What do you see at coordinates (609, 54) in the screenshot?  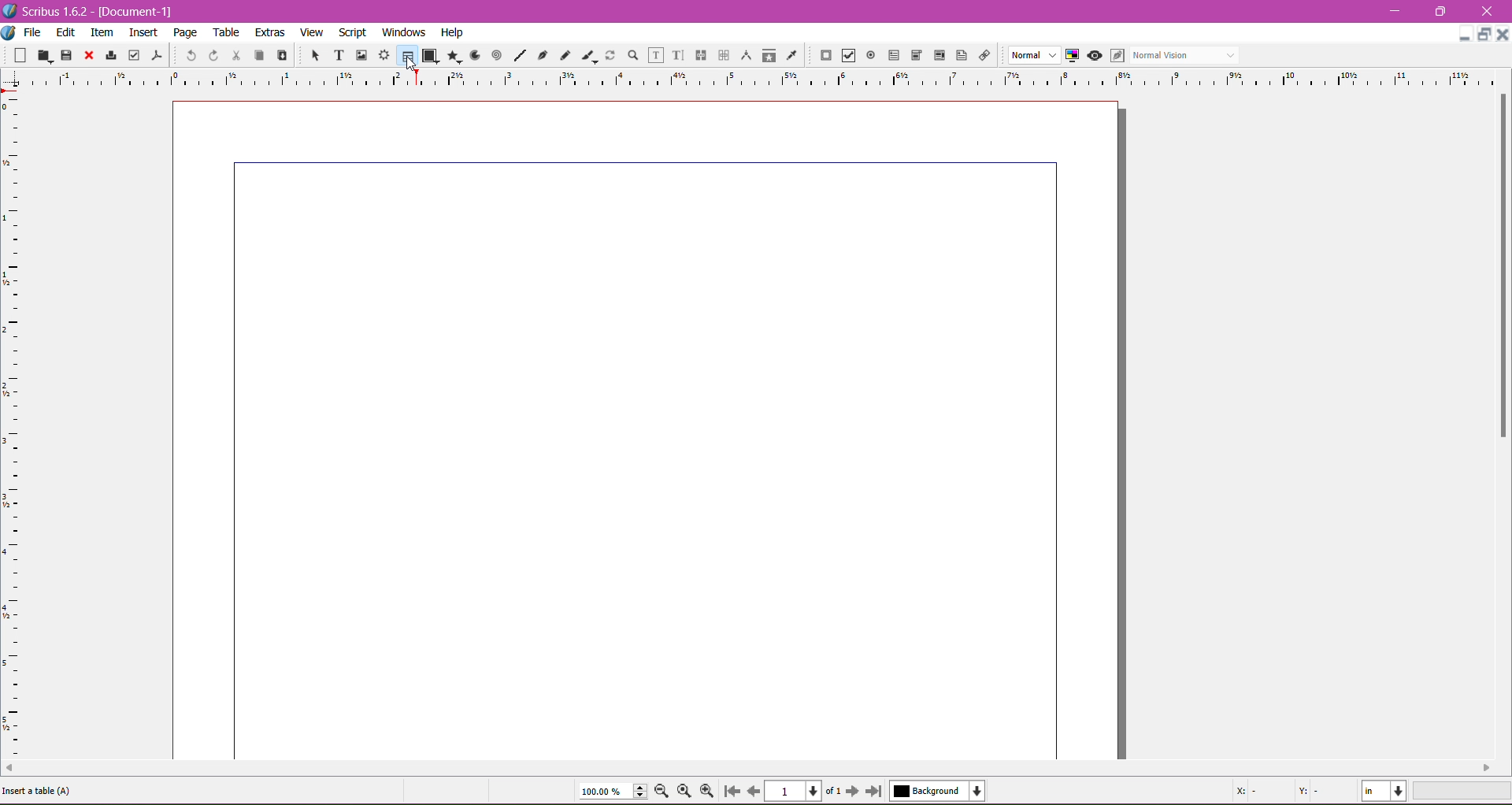 I see `Rotate Them` at bounding box center [609, 54].